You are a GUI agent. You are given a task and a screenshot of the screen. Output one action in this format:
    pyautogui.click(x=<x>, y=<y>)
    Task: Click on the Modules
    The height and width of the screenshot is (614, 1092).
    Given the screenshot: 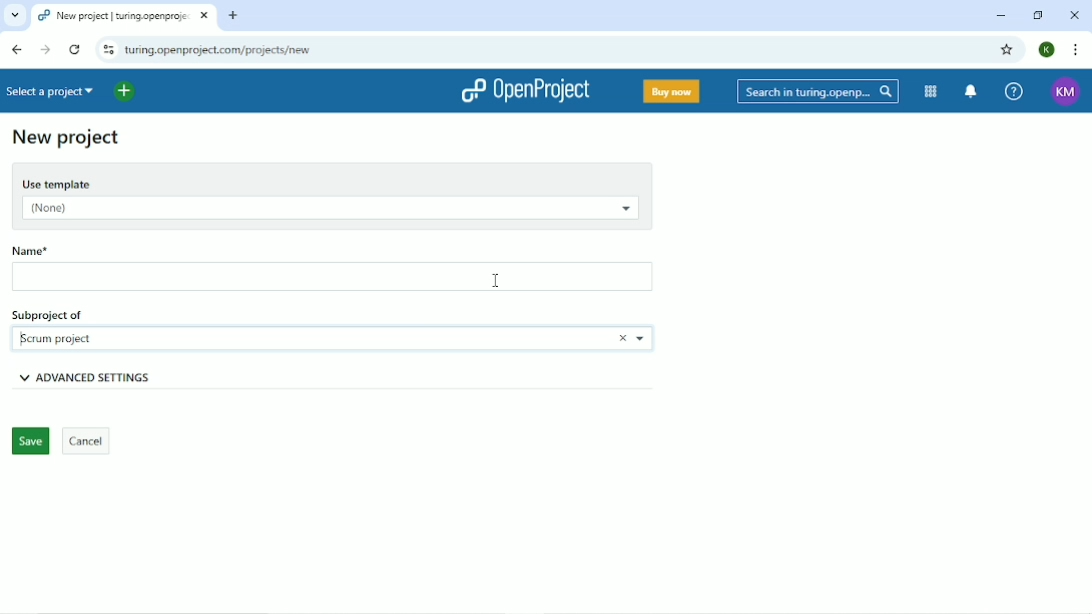 What is the action you would take?
    pyautogui.click(x=932, y=92)
    